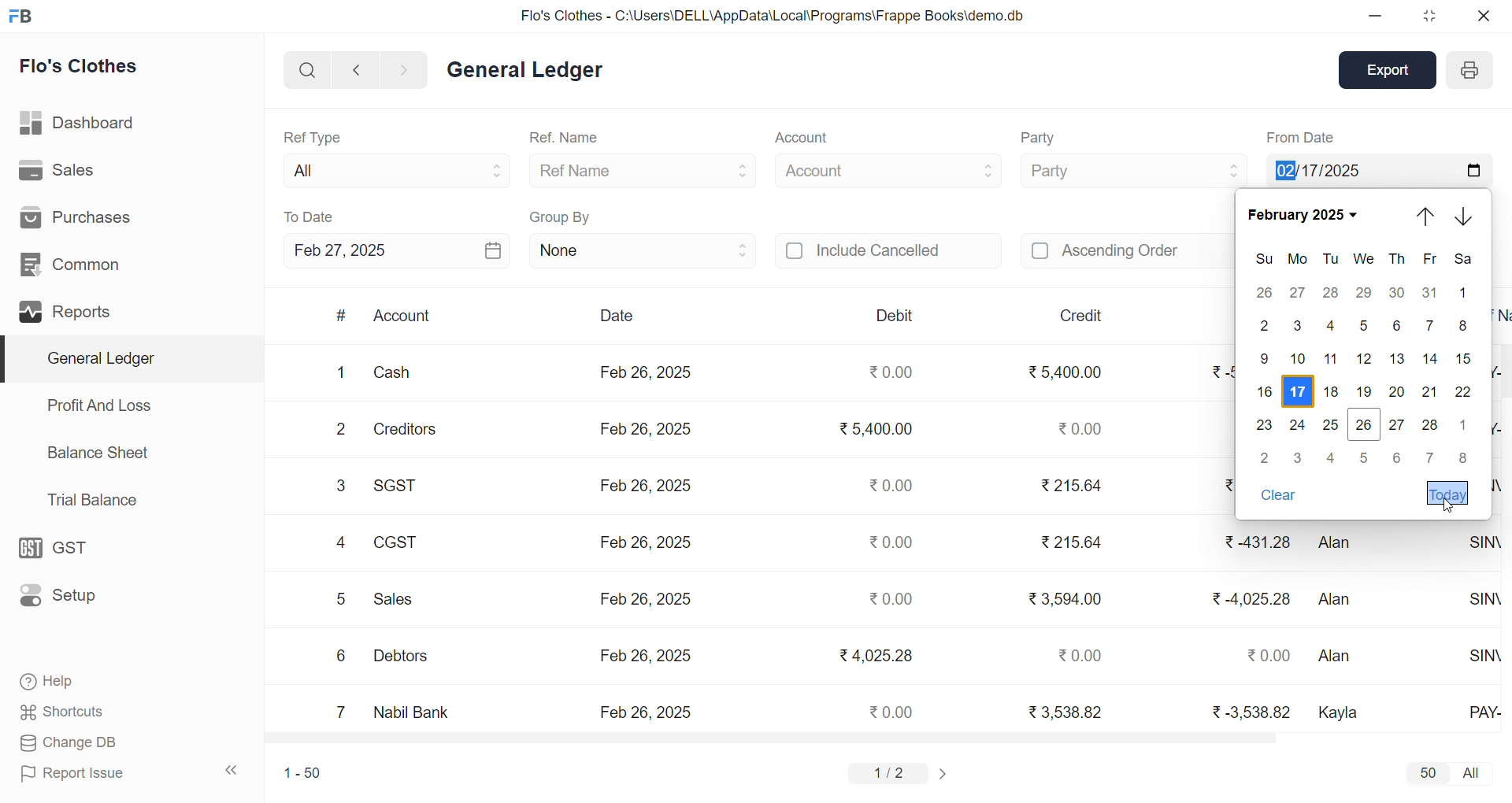 The height and width of the screenshot is (803, 1512). I want to click on 27, so click(1397, 424).